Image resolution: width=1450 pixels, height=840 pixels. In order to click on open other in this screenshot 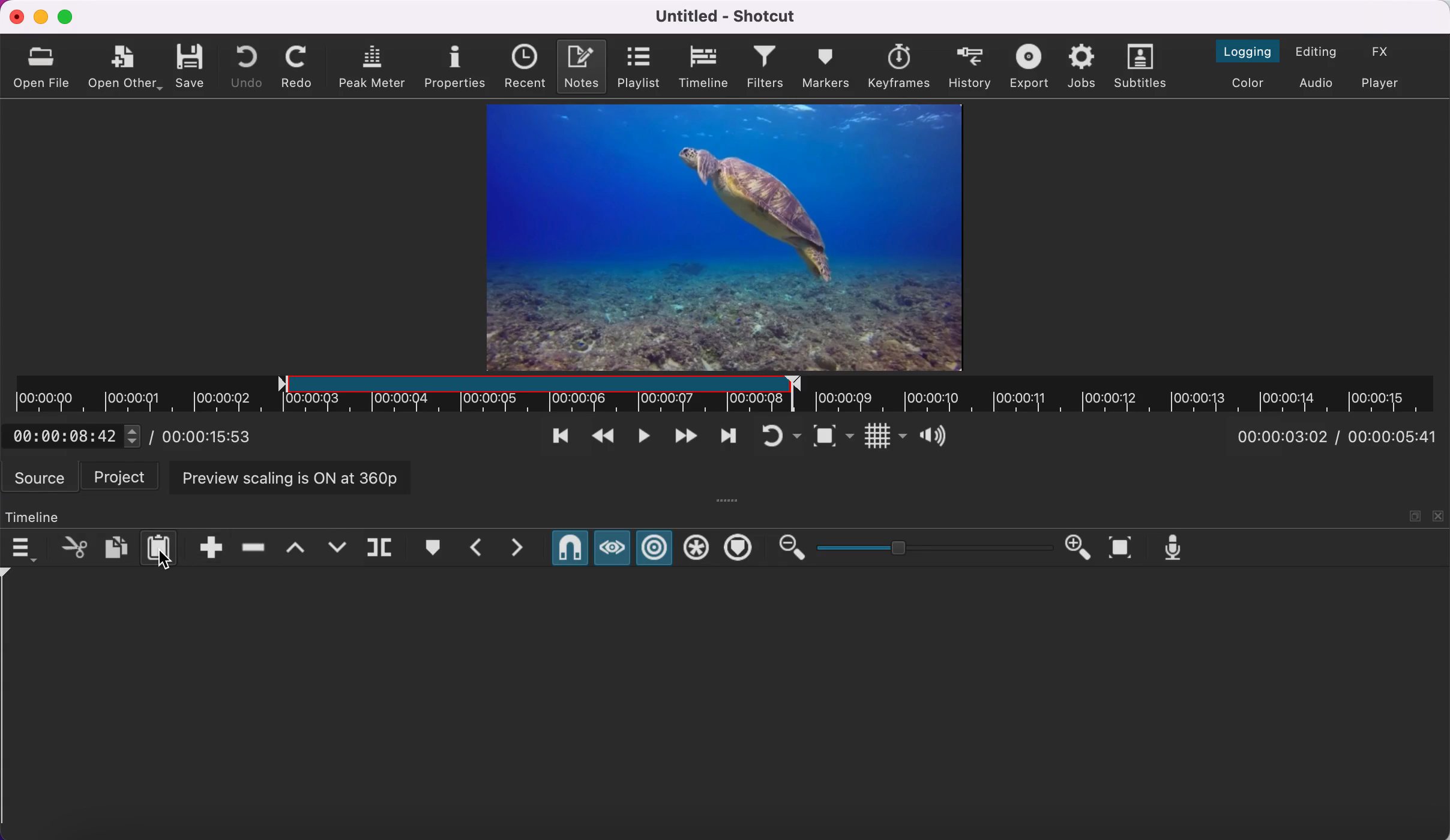, I will do `click(126, 68)`.